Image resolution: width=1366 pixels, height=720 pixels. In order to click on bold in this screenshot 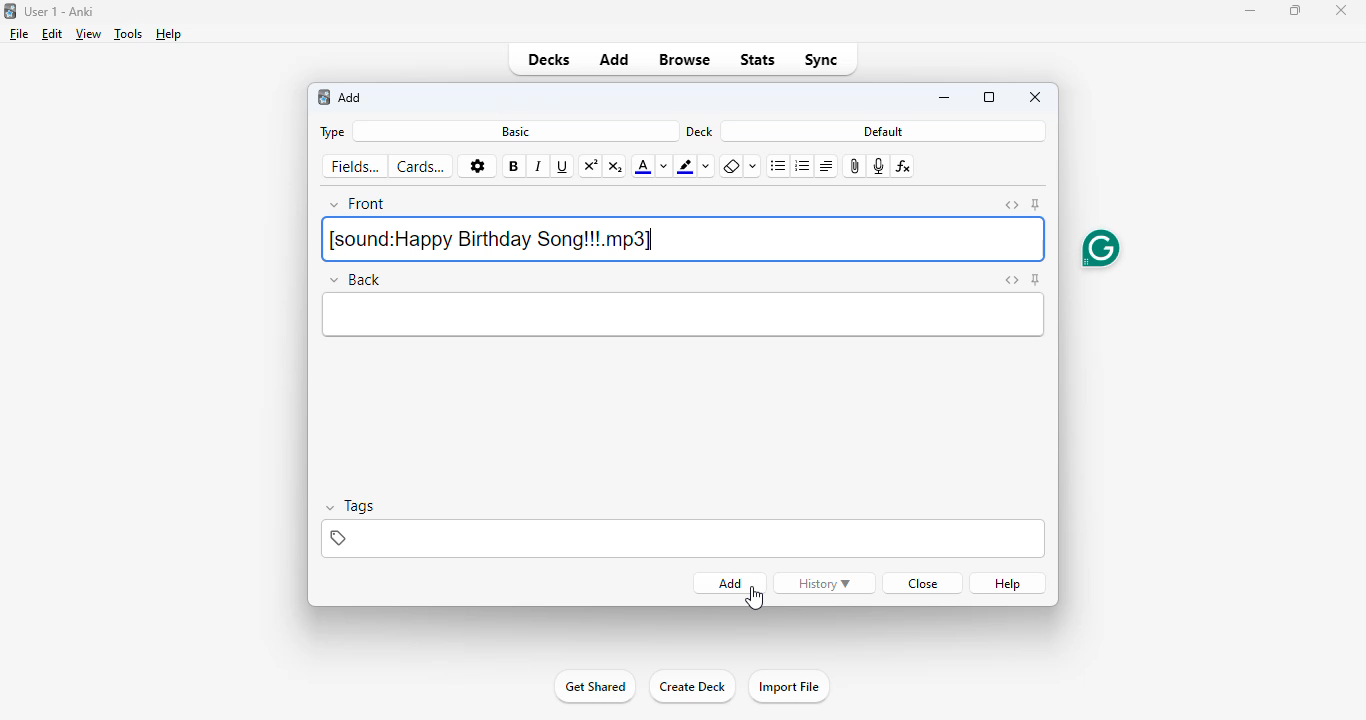, I will do `click(513, 166)`.